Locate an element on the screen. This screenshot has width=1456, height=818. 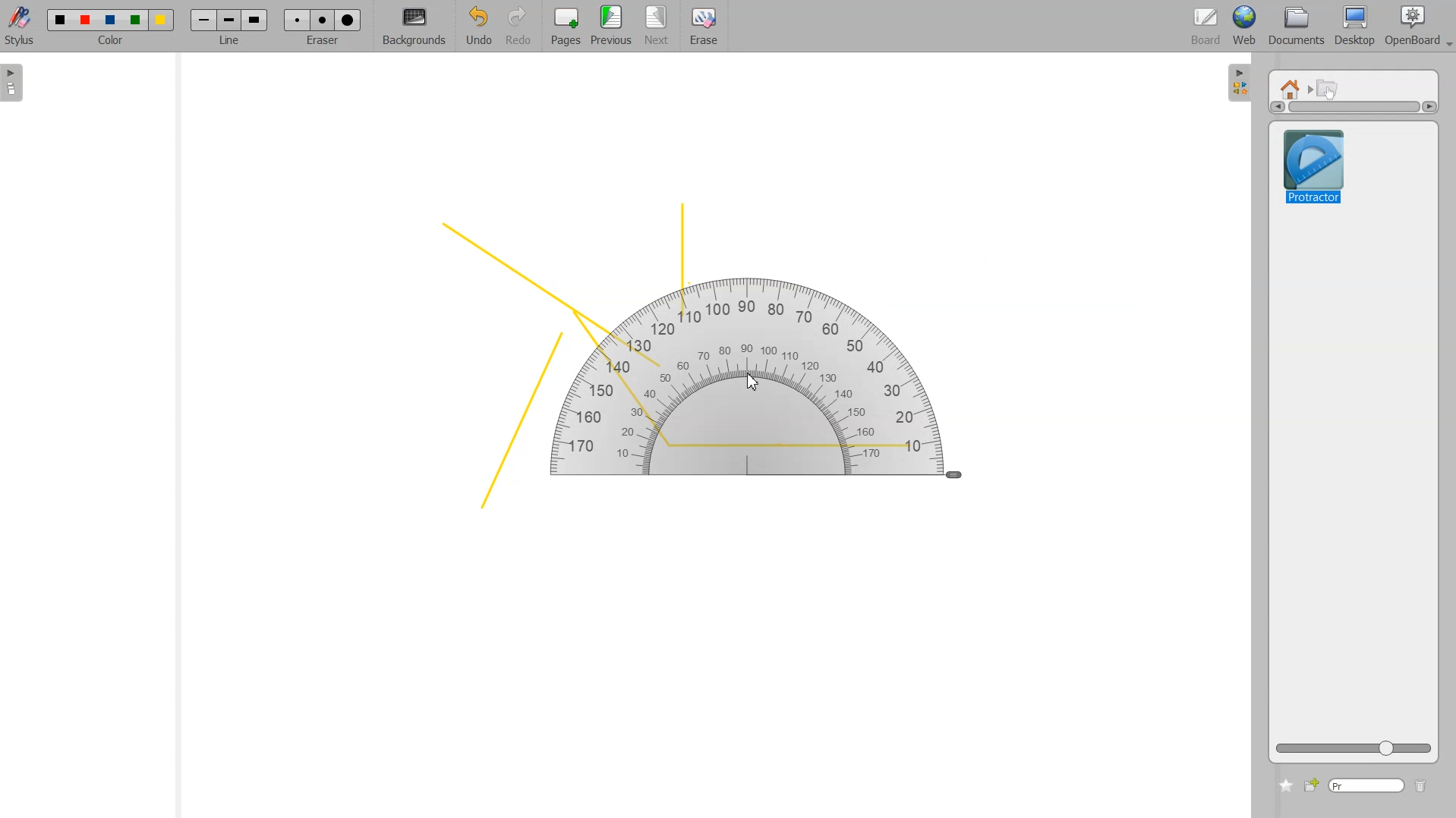
Board is located at coordinates (1206, 27).